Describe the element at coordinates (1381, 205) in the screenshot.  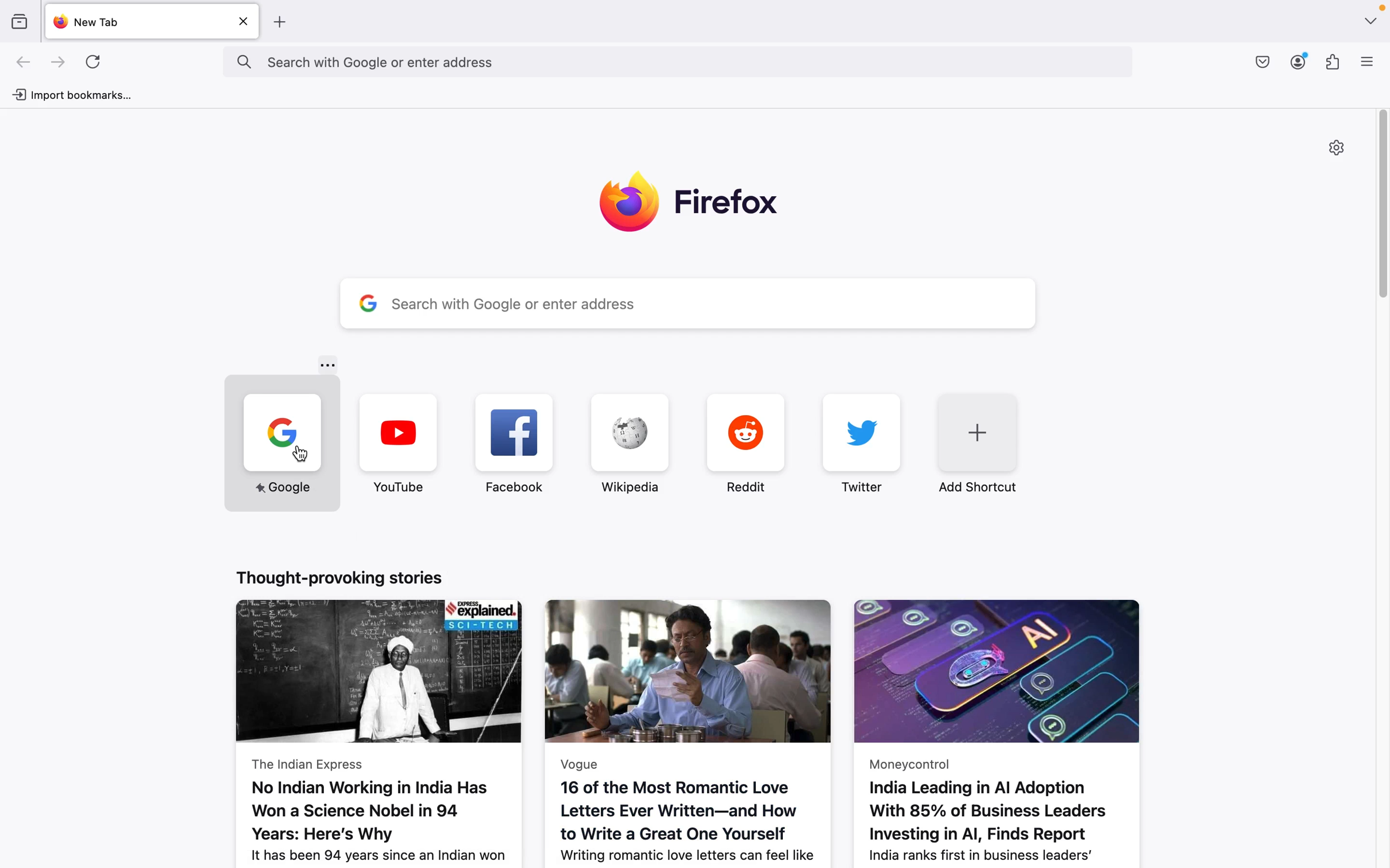
I see `vertical scroll bar` at that location.